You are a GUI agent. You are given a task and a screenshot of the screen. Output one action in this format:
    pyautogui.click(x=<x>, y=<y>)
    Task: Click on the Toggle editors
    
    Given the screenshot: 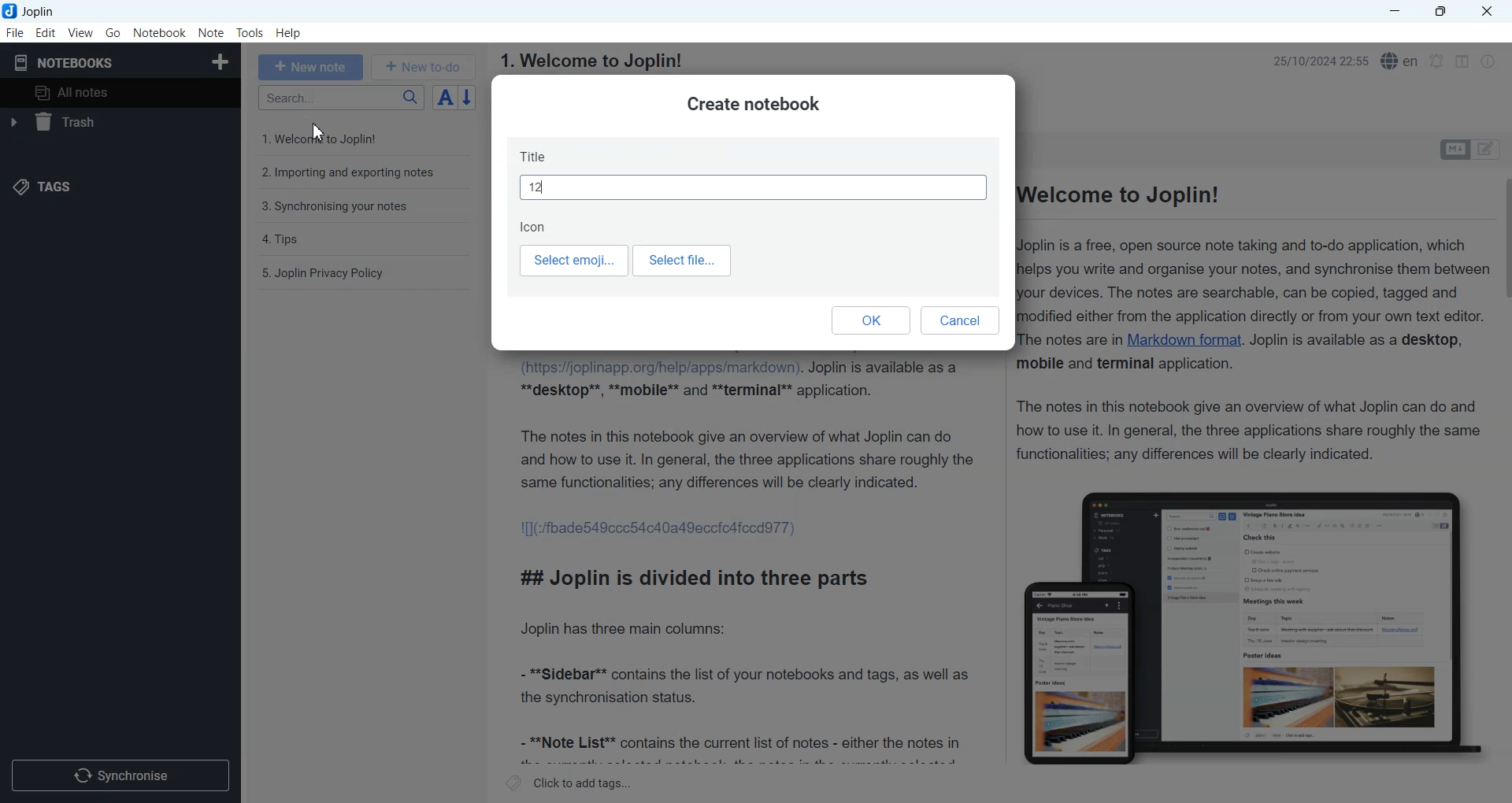 What is the action you would take?
    pyautogui.click(x=1489, y=150)
    